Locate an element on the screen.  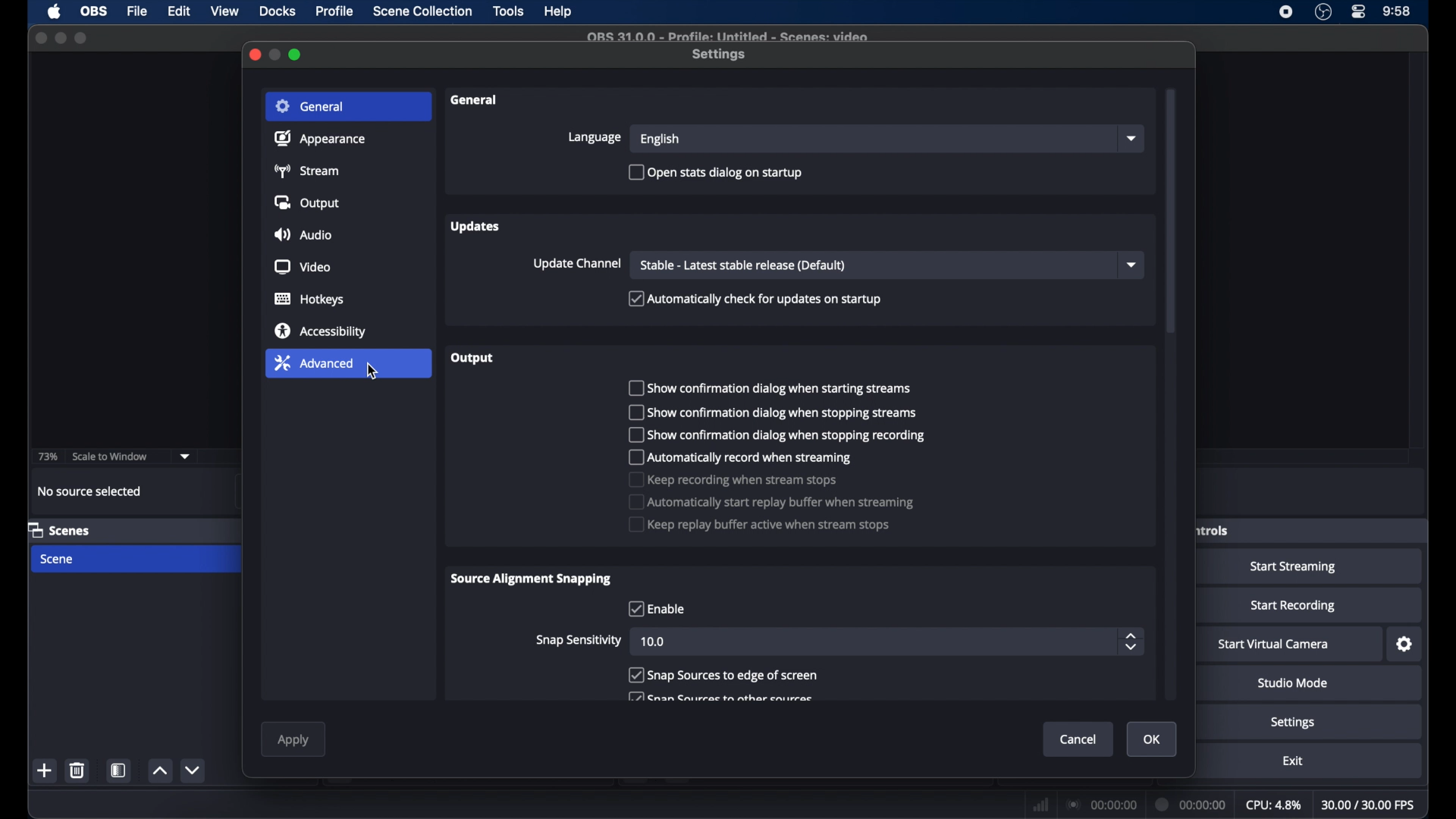
apply is located at coordinates (294, 741).